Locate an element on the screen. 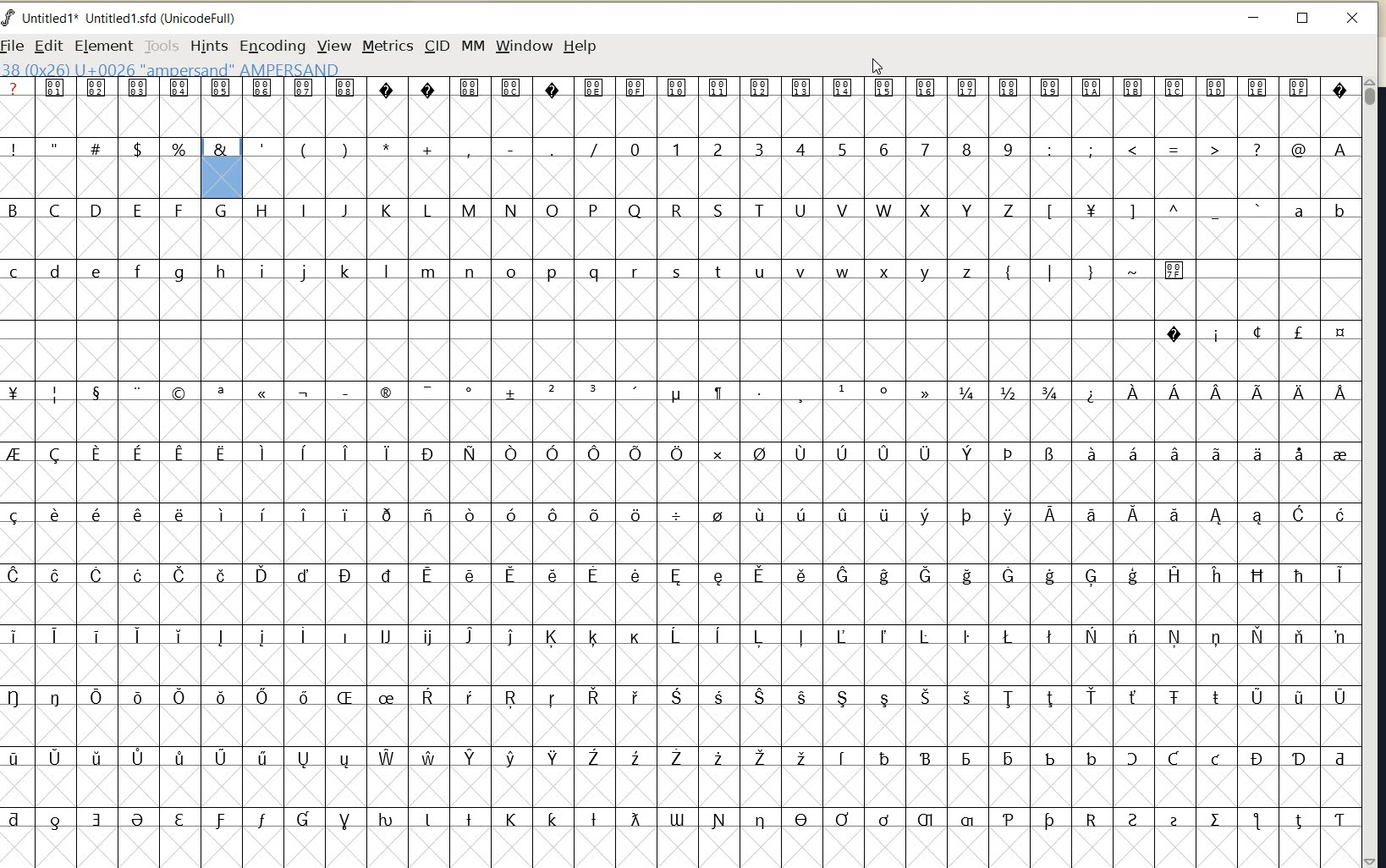 This screenshot has width=1386, height=868. glyph is located at coordinates (224, 103).